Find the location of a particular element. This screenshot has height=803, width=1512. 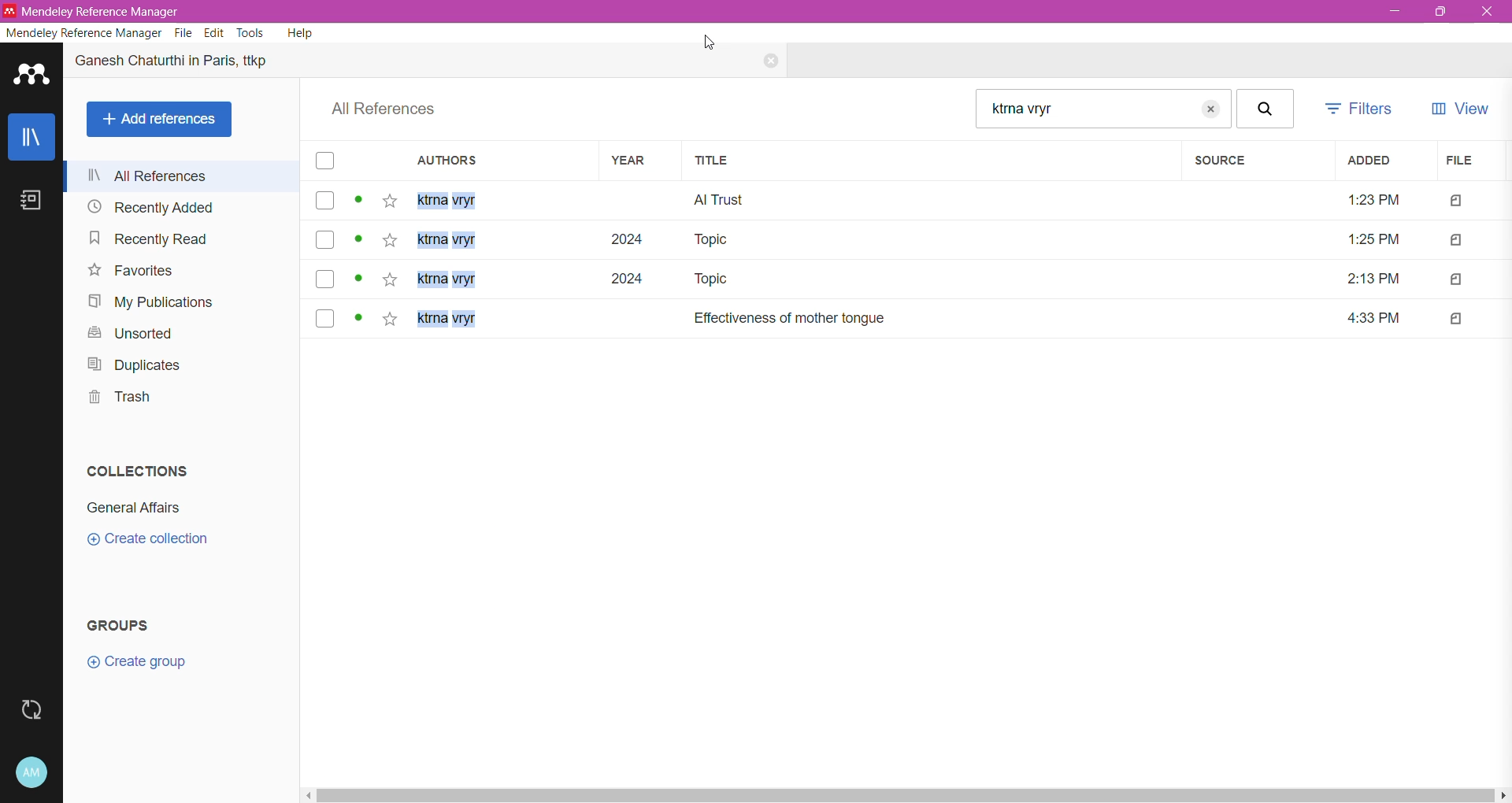

Type the required author's name in the Search bar is located at coordinates (1102, 108).